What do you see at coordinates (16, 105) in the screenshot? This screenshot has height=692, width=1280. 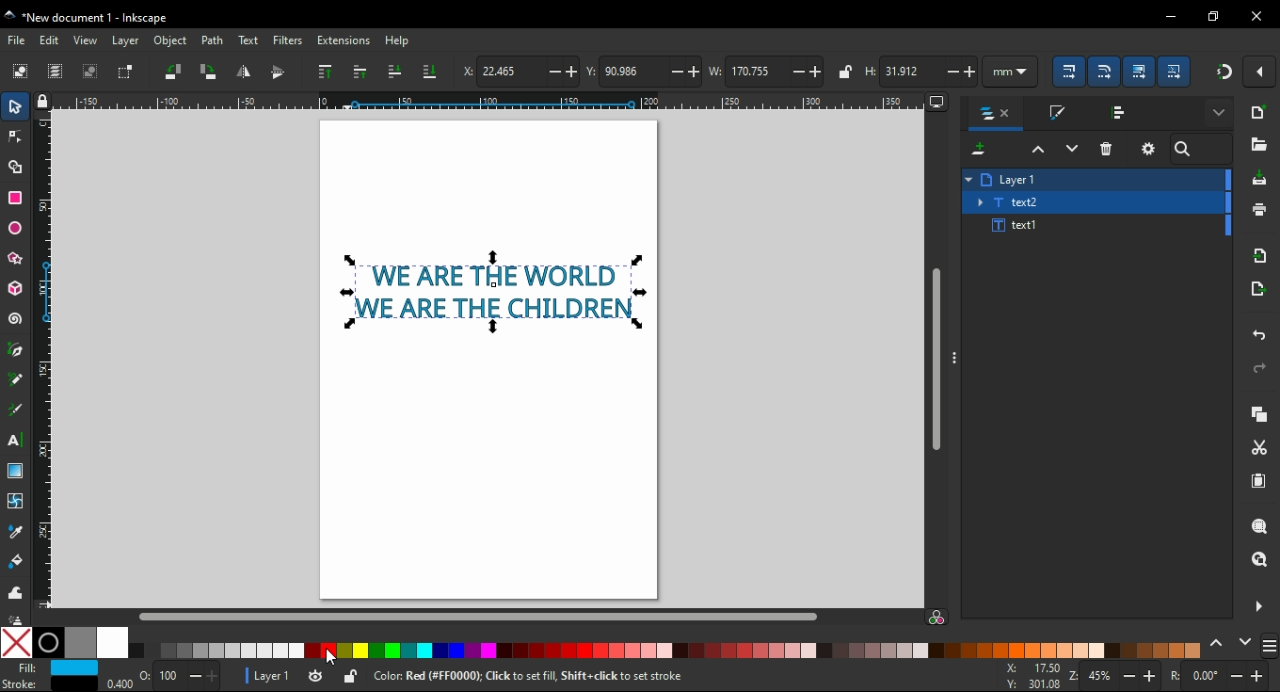 I see `select` at bounding box center [16, 105].